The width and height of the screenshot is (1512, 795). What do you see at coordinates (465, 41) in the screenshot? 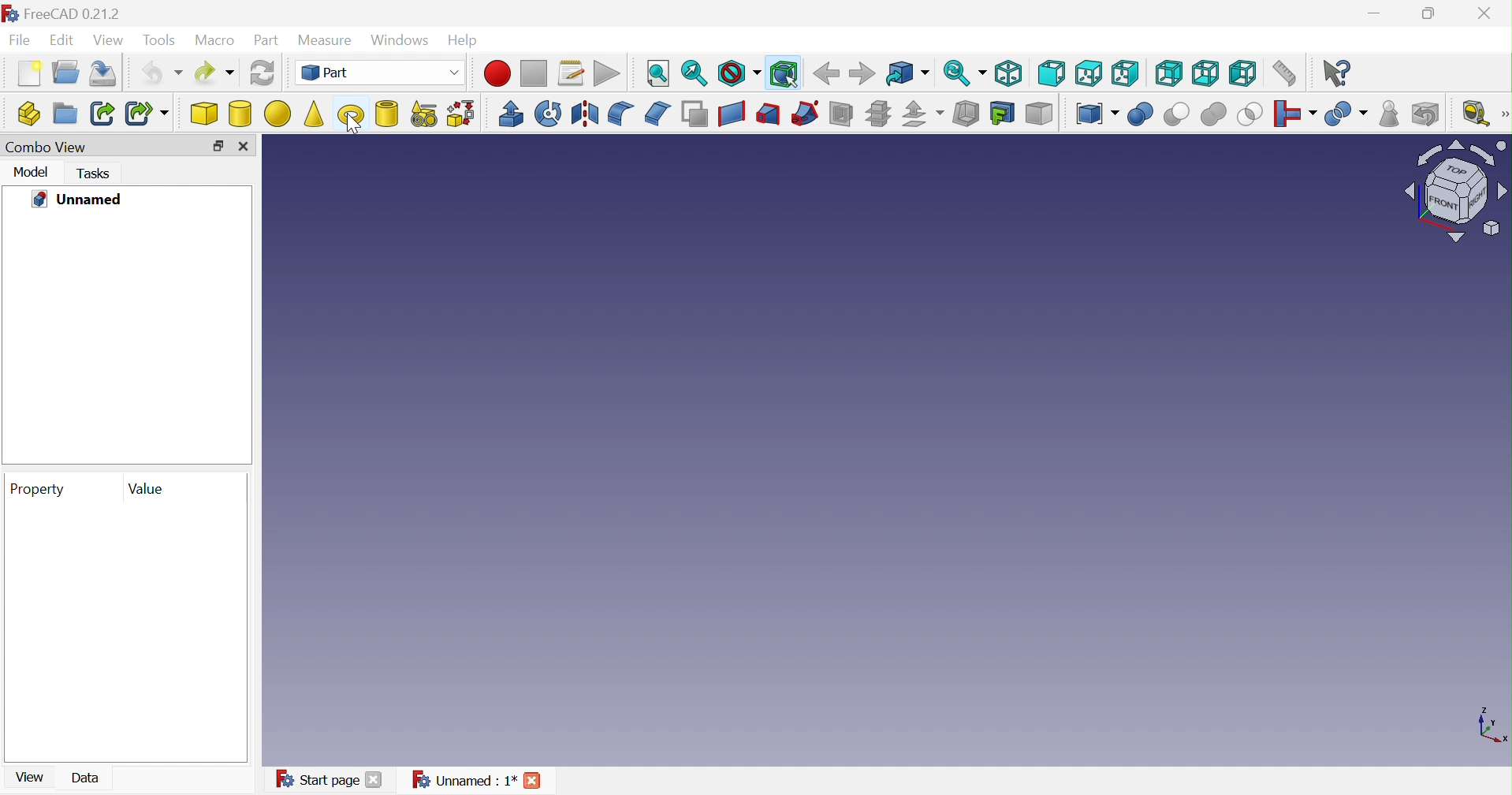
I see `Help` at bounding box center [465, 41].